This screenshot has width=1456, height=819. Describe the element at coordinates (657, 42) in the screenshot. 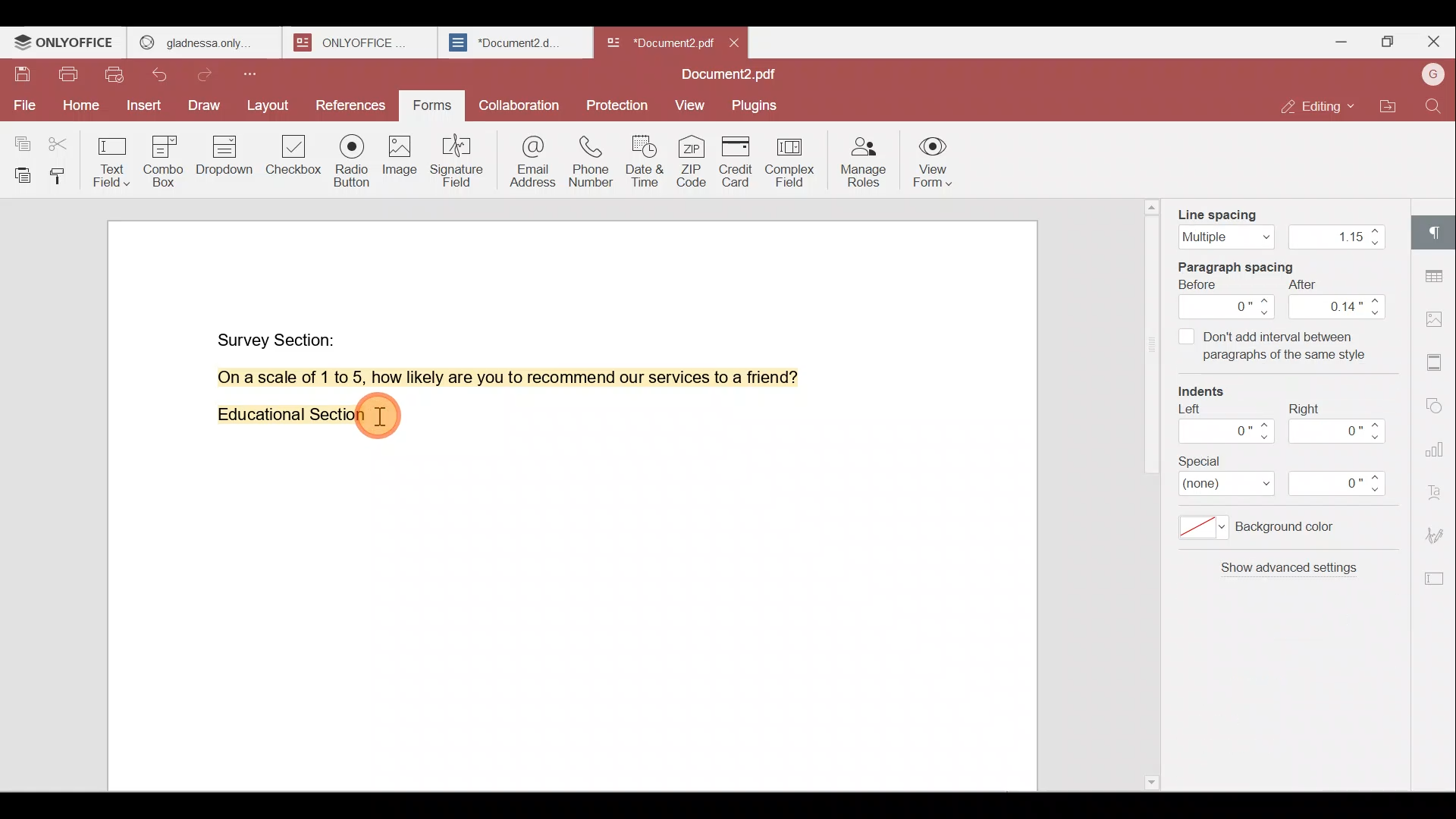

I see `Document2.pdf` at that location.